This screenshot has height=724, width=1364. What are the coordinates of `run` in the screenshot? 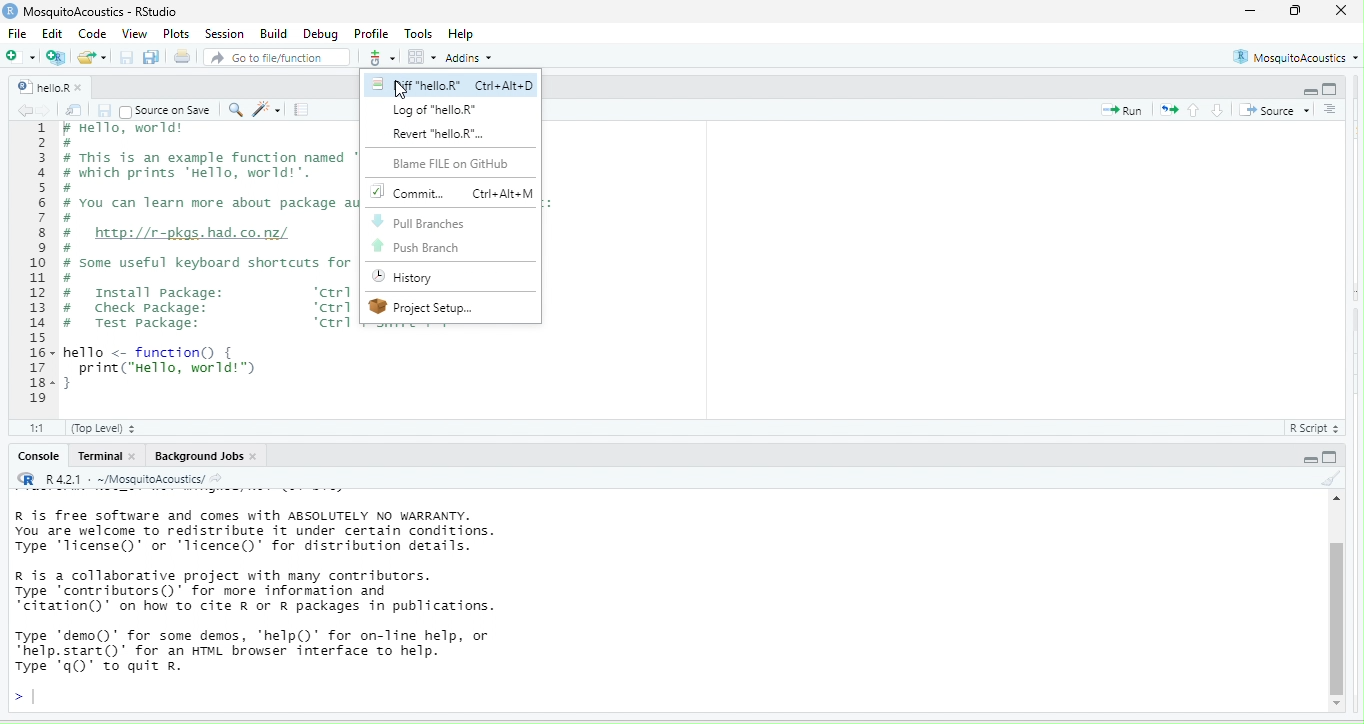 It's located at (1125, 109).